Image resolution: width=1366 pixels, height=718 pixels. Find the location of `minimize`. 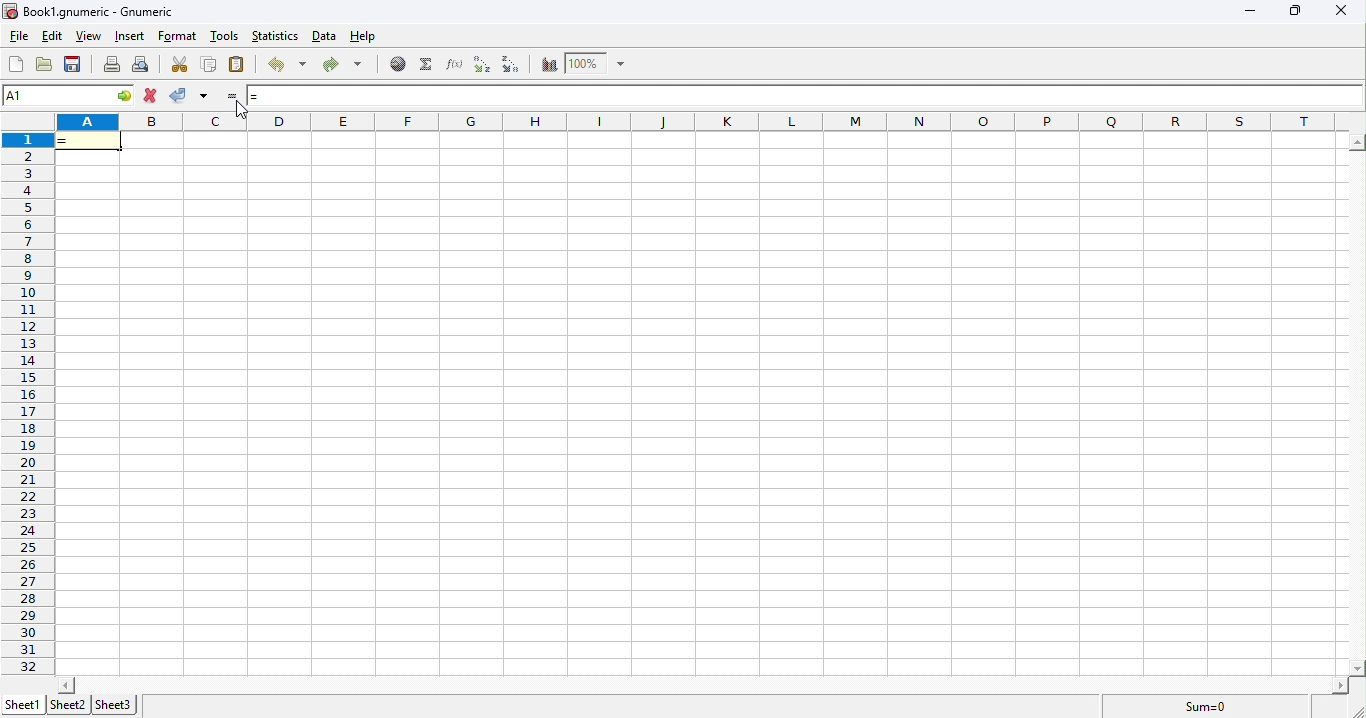

minimize is located at coordinates (1247, 11).